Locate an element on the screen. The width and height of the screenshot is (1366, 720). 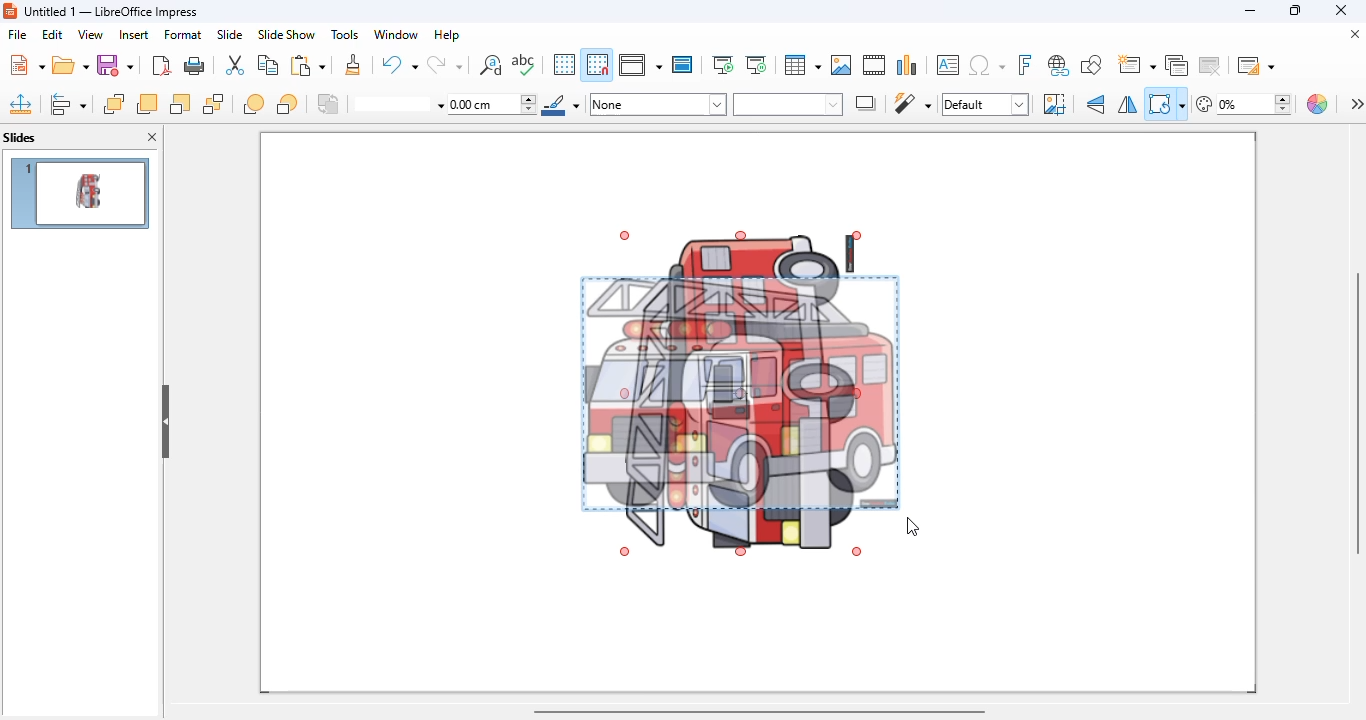
behind objects is located at coordinates (287, 103).